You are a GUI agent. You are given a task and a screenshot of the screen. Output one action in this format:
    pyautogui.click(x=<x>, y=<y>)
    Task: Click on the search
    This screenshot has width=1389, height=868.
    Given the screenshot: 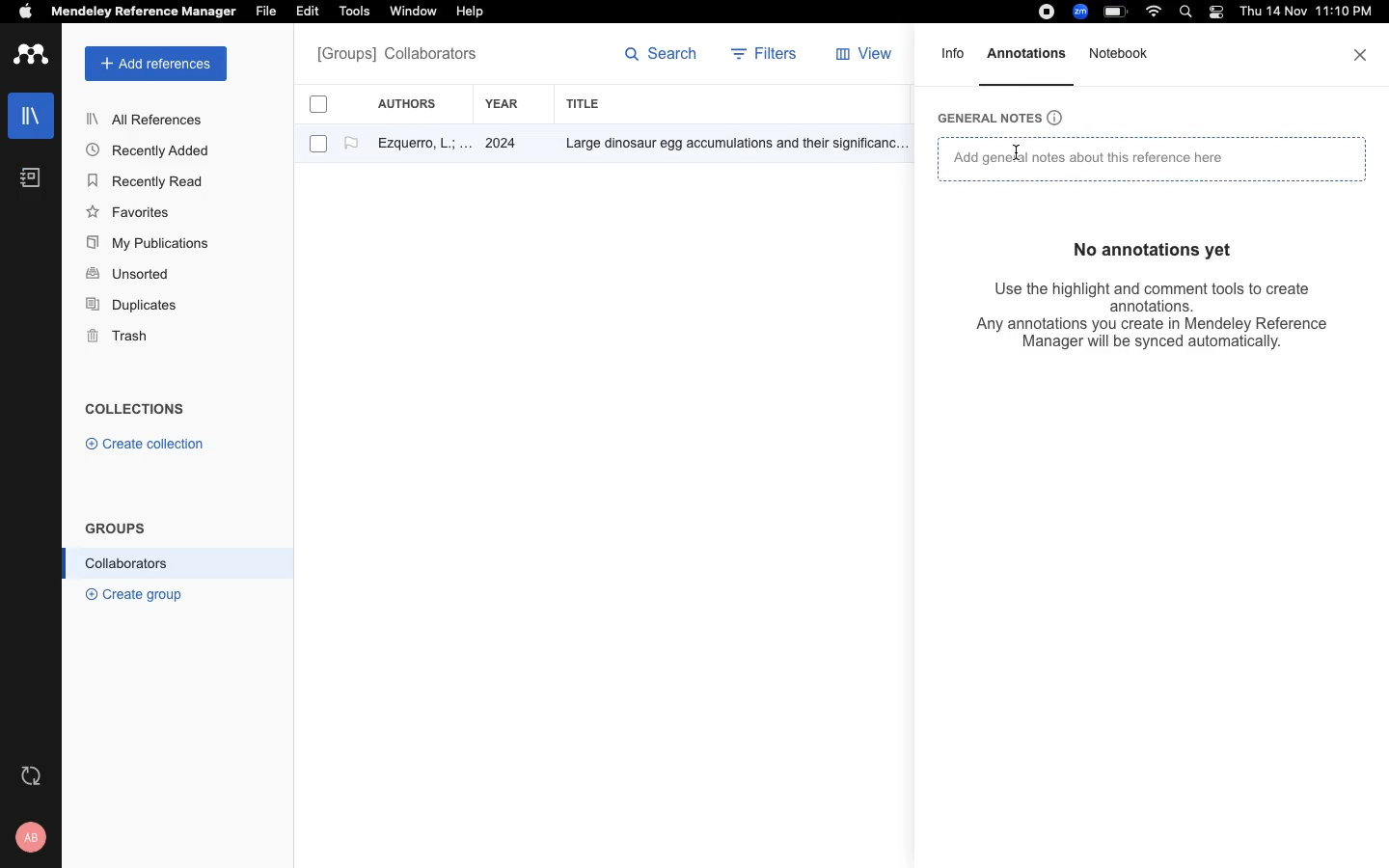 What is the action you would take?
    pyautogui.click(x=1189, y=14)
    